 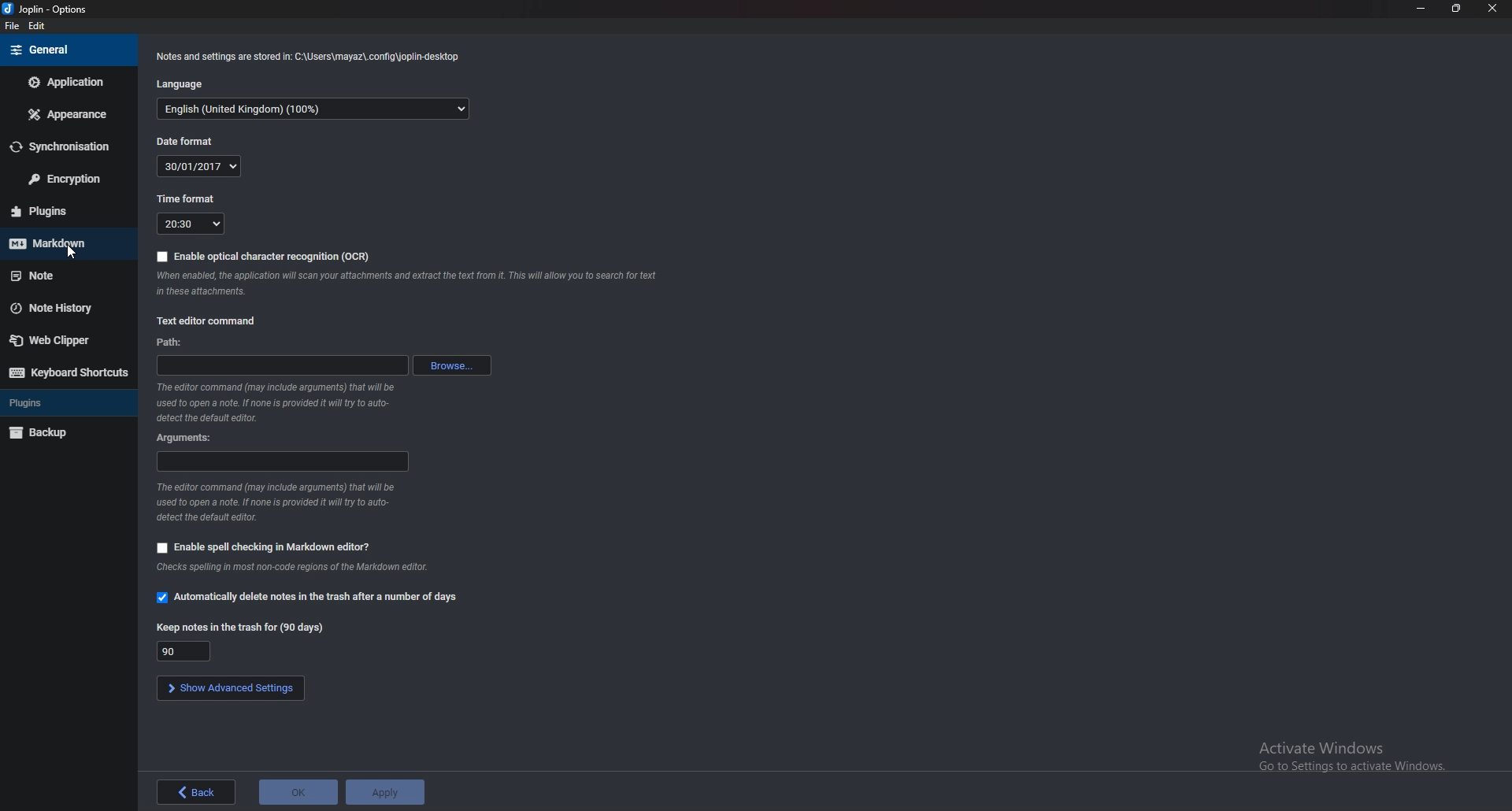 I want to click on Appearance, so click(x=70, y=113).